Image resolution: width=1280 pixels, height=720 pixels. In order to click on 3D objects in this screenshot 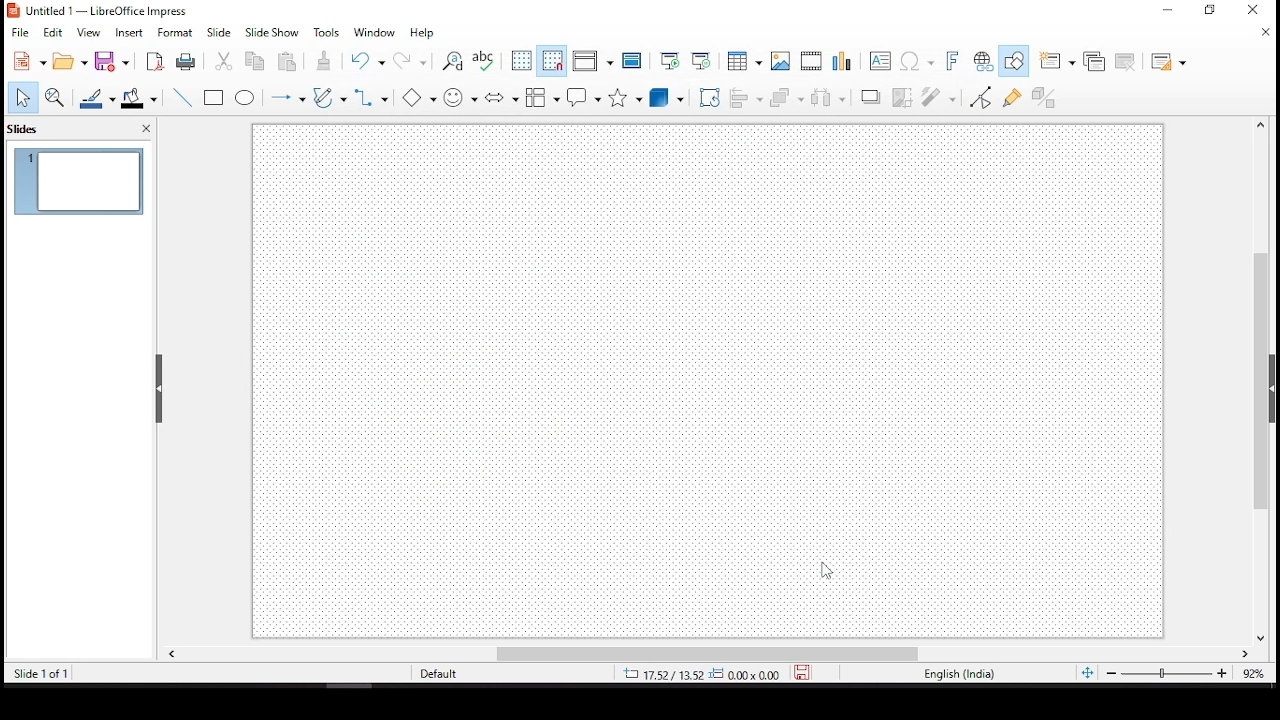, I will do `click(667, 96)`.